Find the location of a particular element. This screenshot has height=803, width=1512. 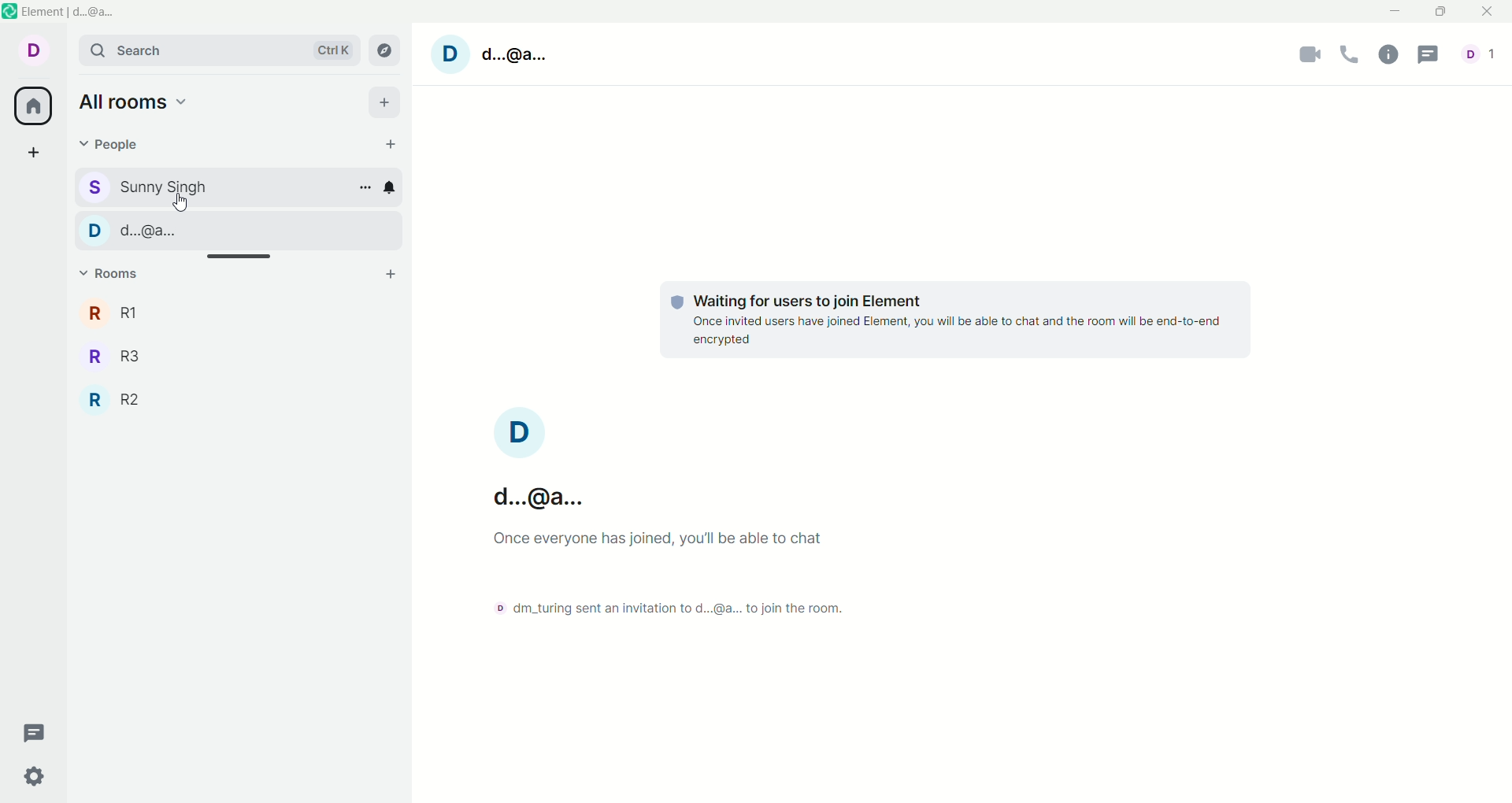

maximize is located at coordinates (1439, 13).